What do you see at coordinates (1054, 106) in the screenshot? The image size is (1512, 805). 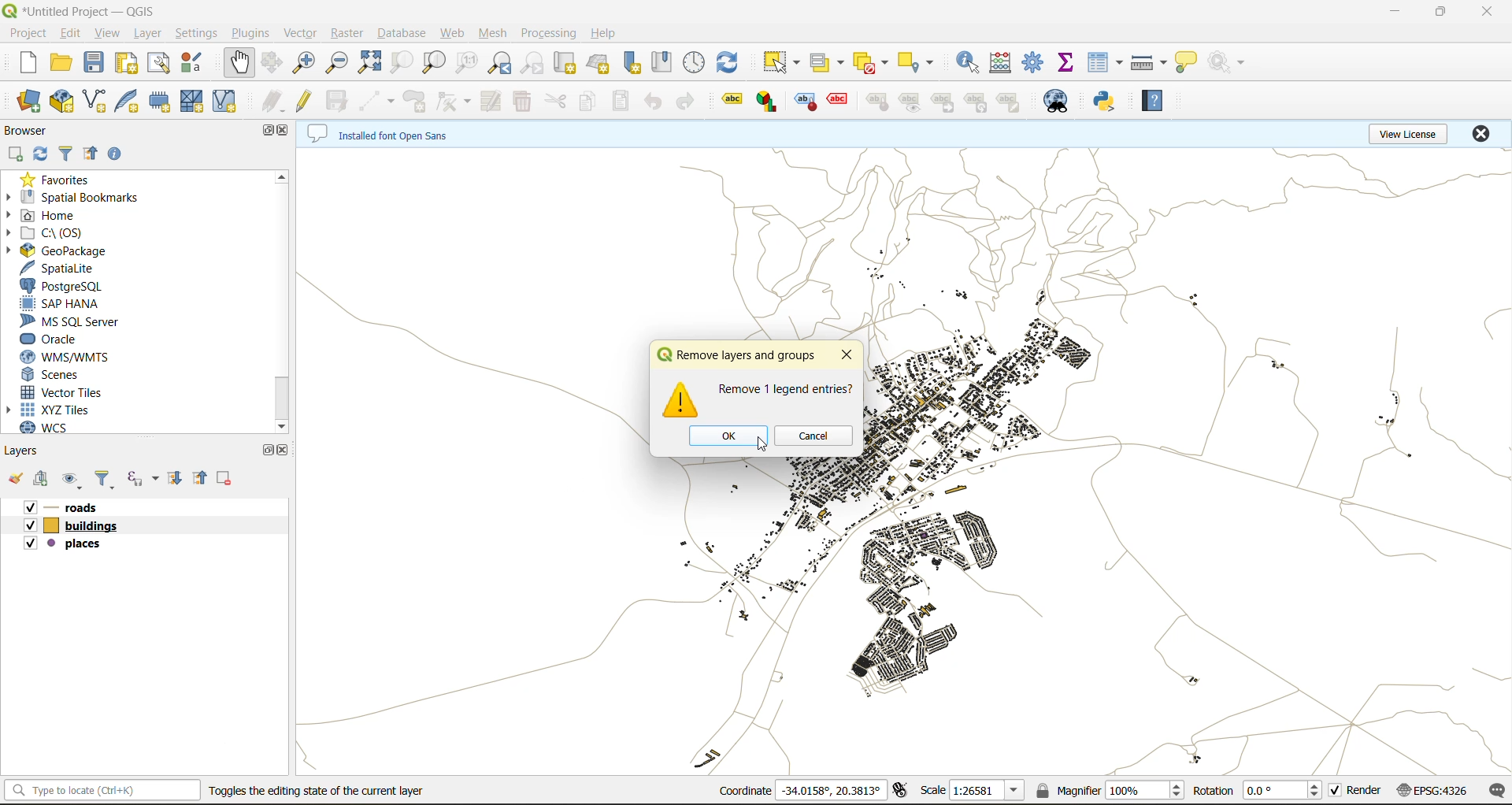 I see `metasearch` at bounding box center [1054, 106].